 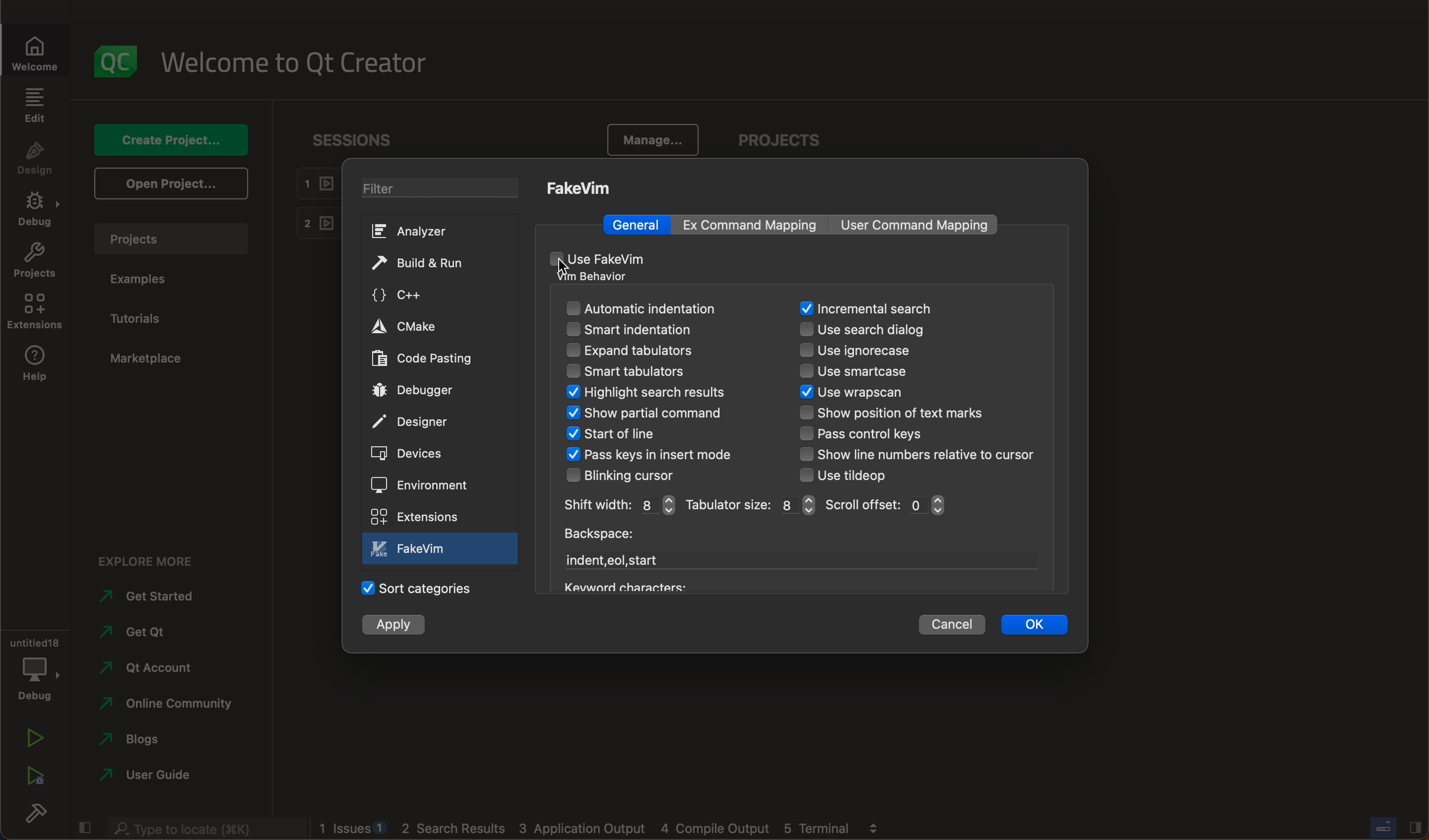 I want to click on design, so click(x=38, y=158).